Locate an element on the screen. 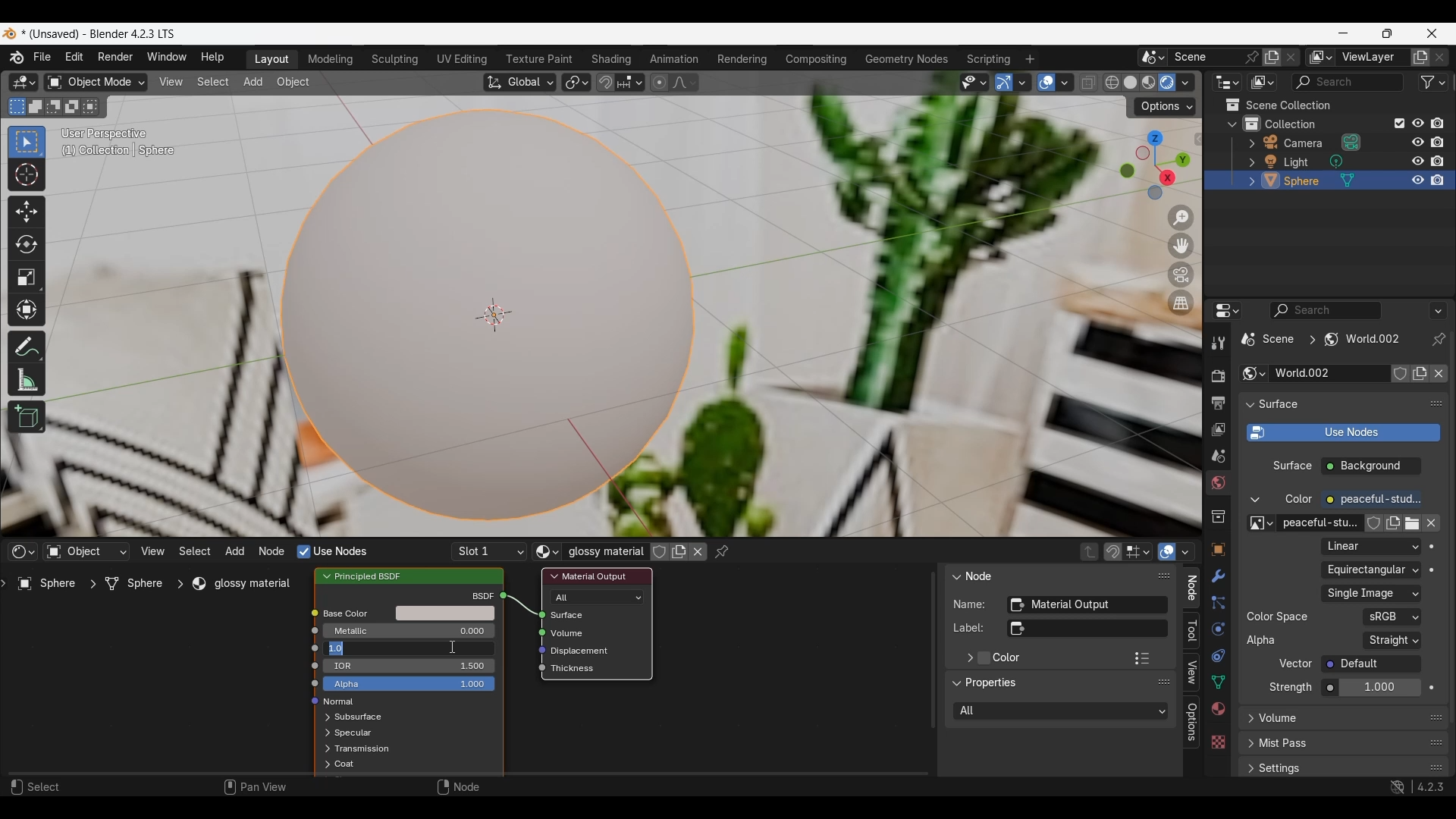  Snapping is located at coordinates (629, 82).